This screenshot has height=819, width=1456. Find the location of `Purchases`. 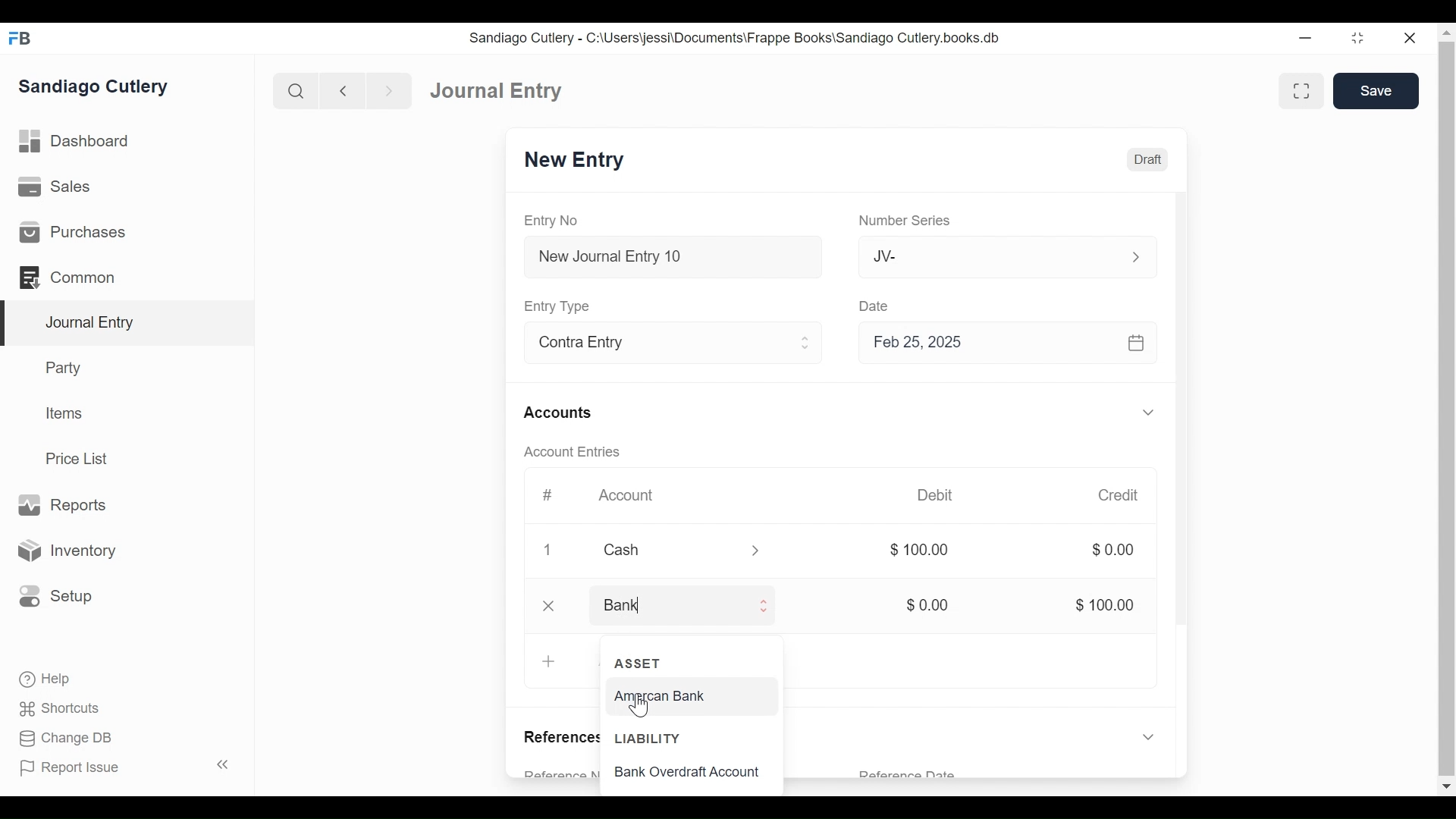

Purchases is located at coordinates (73, 233).